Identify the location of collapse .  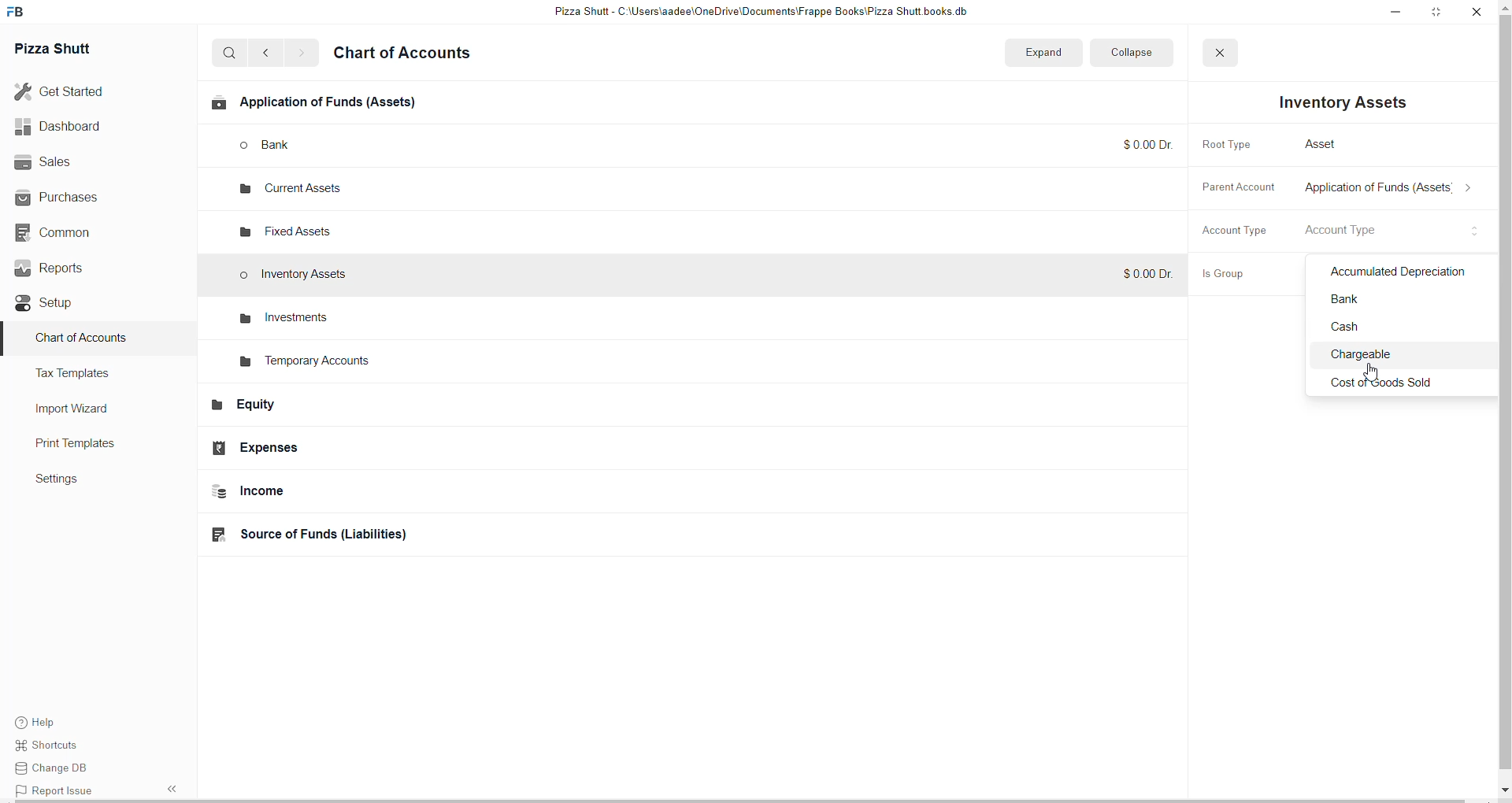
(1143, 52).